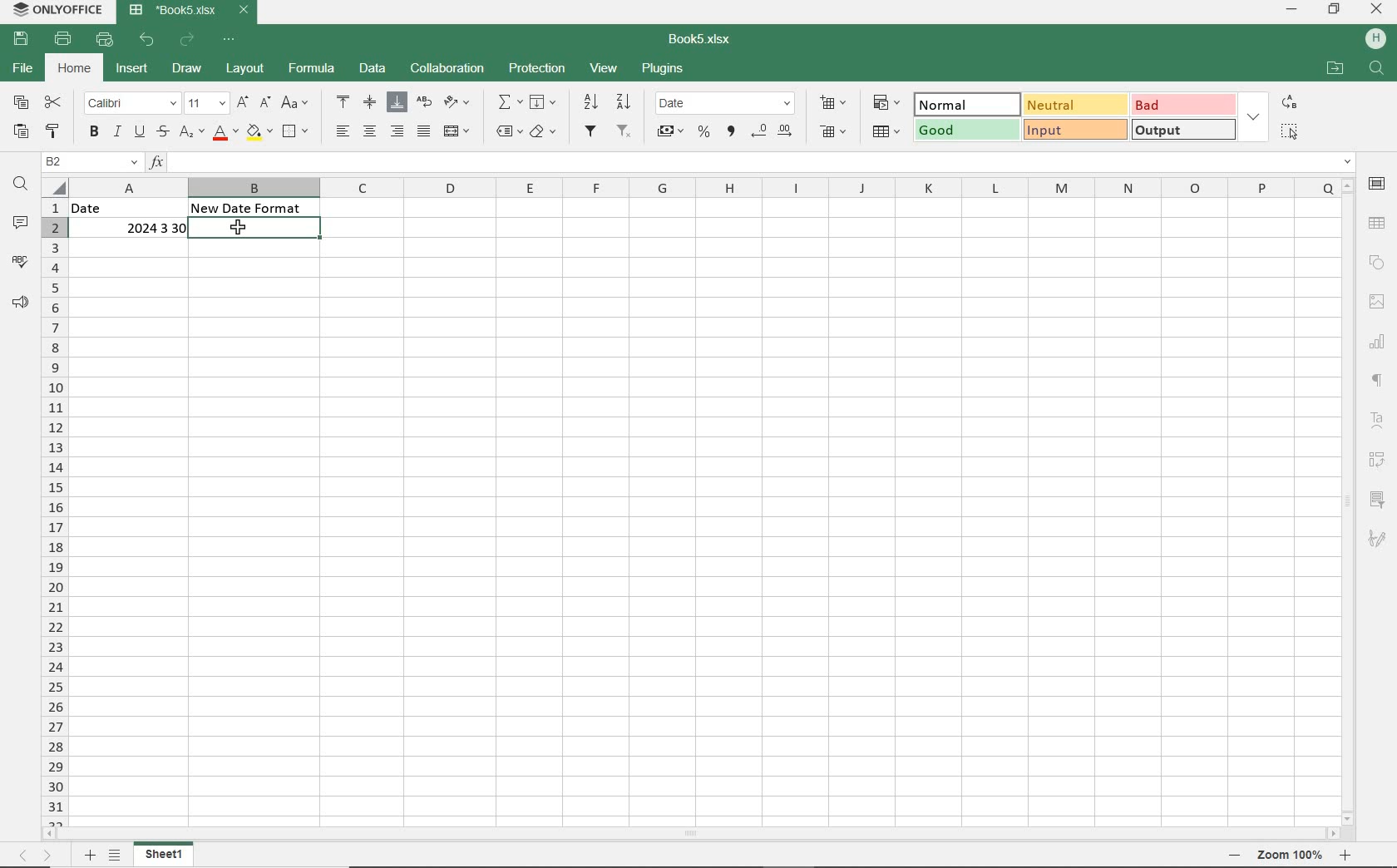 The height and width of the screenshot is (868, 1397). Describe the element at coordinates (259, 133) in the screenshot. I see `FILL COLOR` at that location.